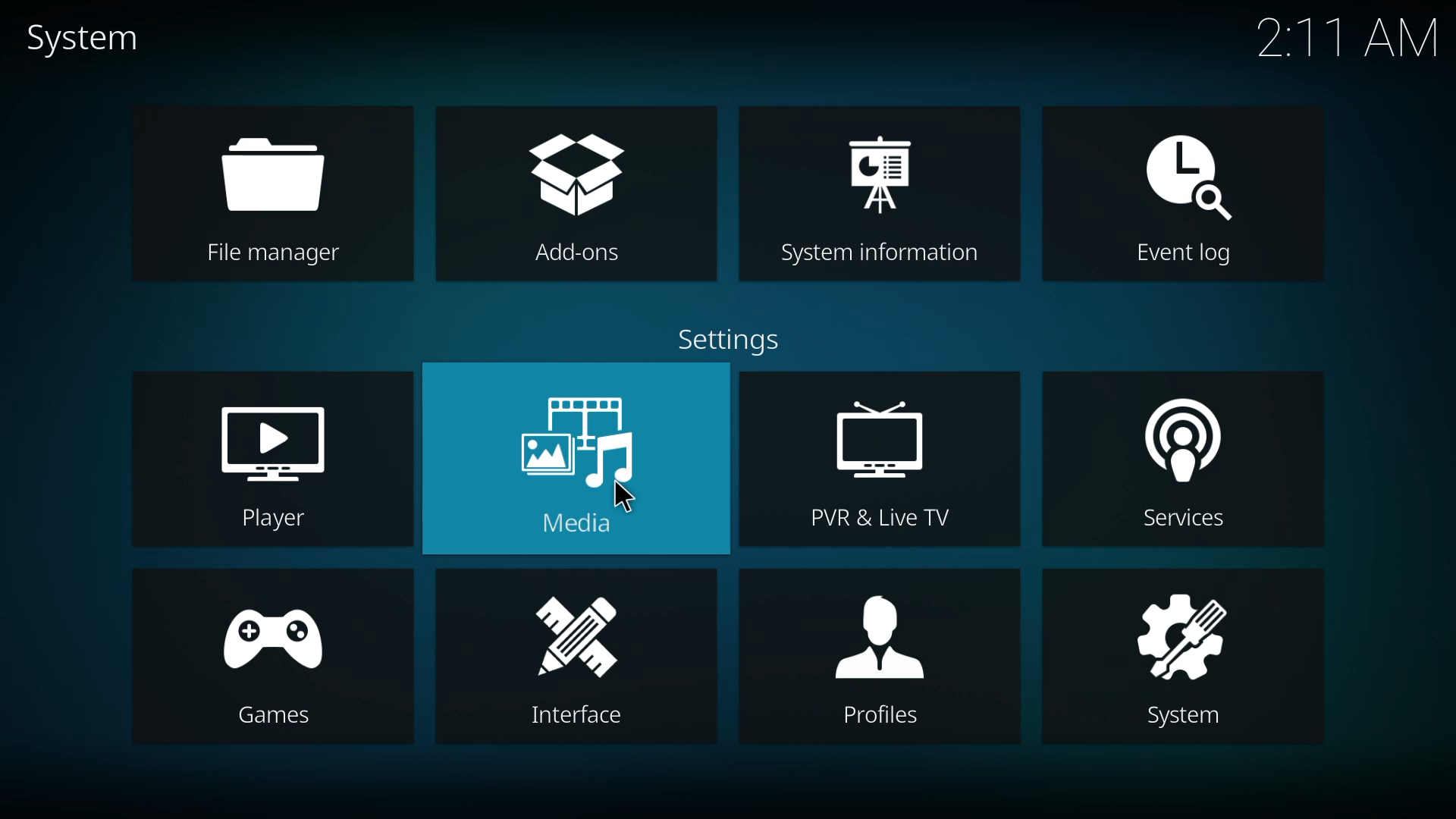  Describe the element at coordinates (1348, 37) in the screenshot. I see `time` at that location.